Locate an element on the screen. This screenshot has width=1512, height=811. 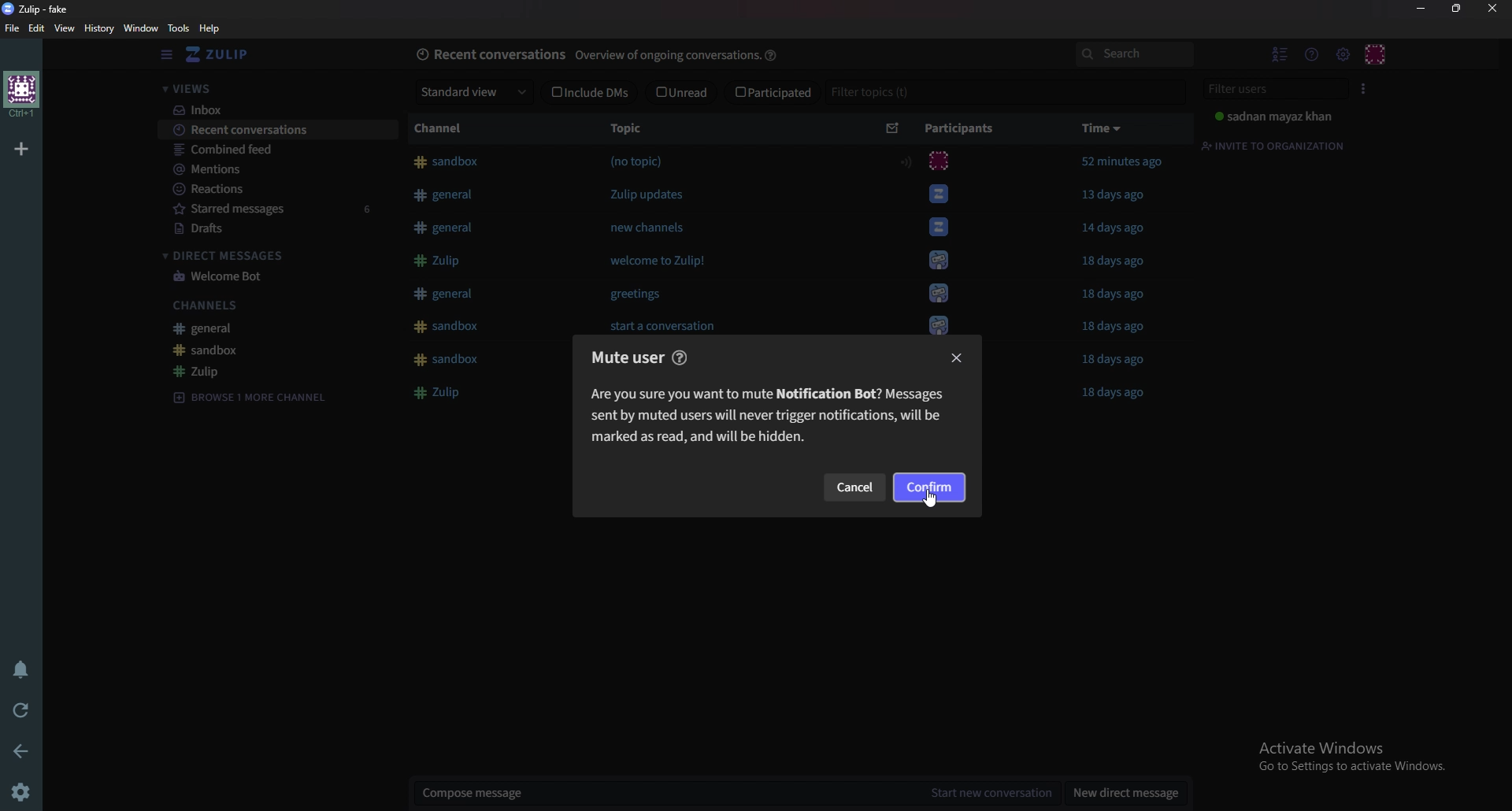
zulip is located at coordinates (445, 395).